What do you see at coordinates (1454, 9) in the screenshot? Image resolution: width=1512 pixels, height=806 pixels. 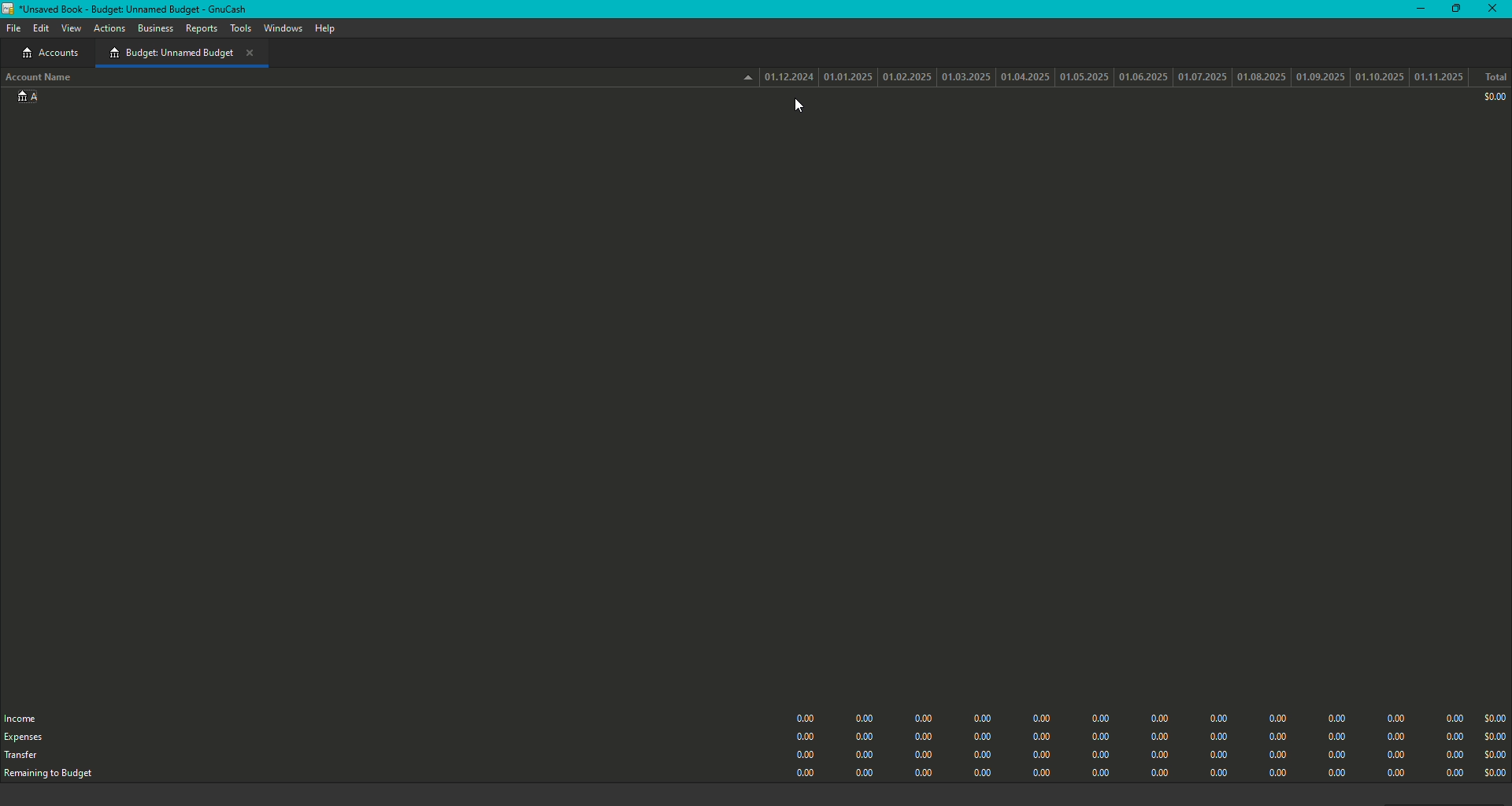 I see `Restore` at bounding box center [1454, 9].